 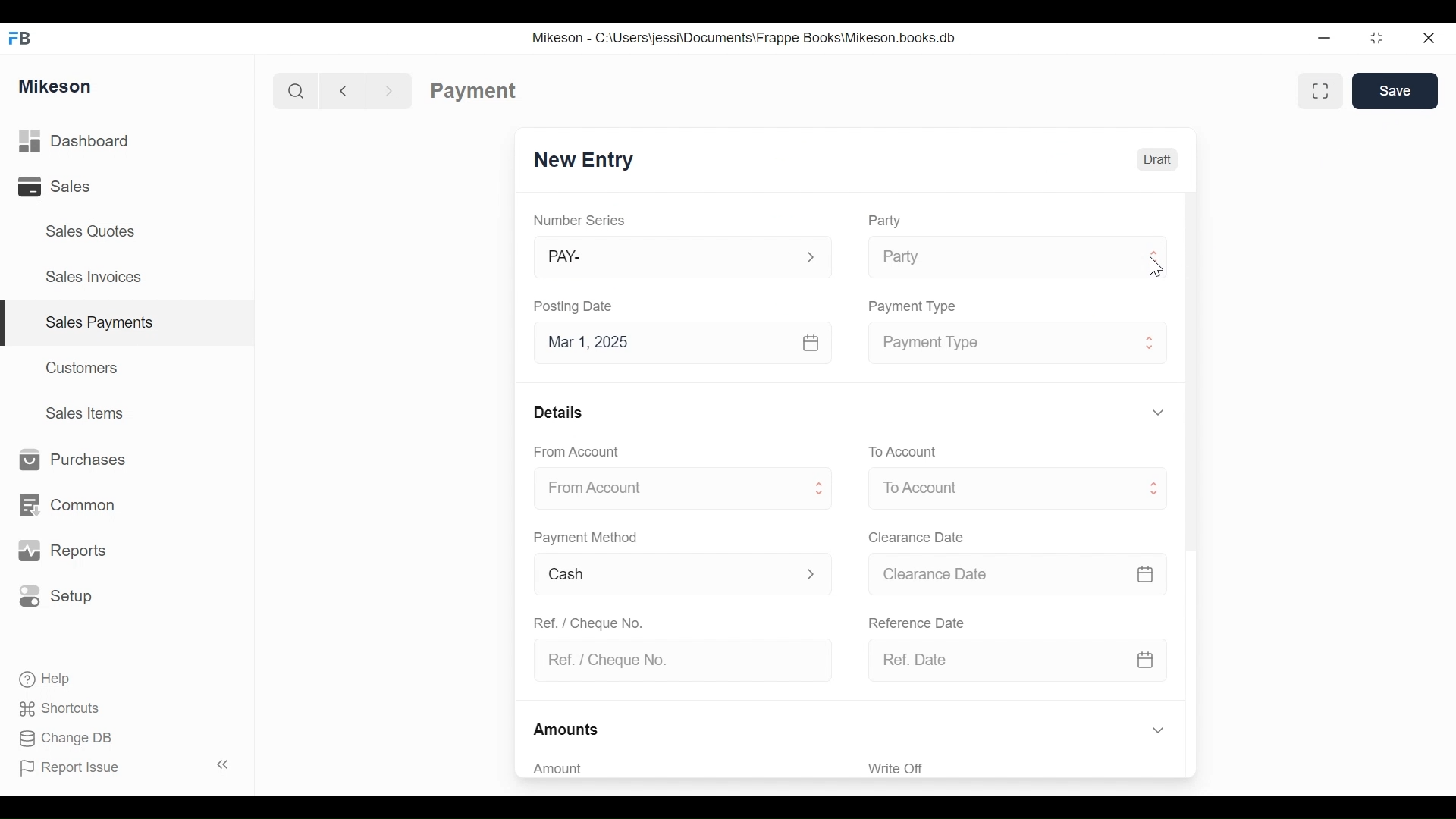 I want to click on From Account, so click(x=685, y=489).